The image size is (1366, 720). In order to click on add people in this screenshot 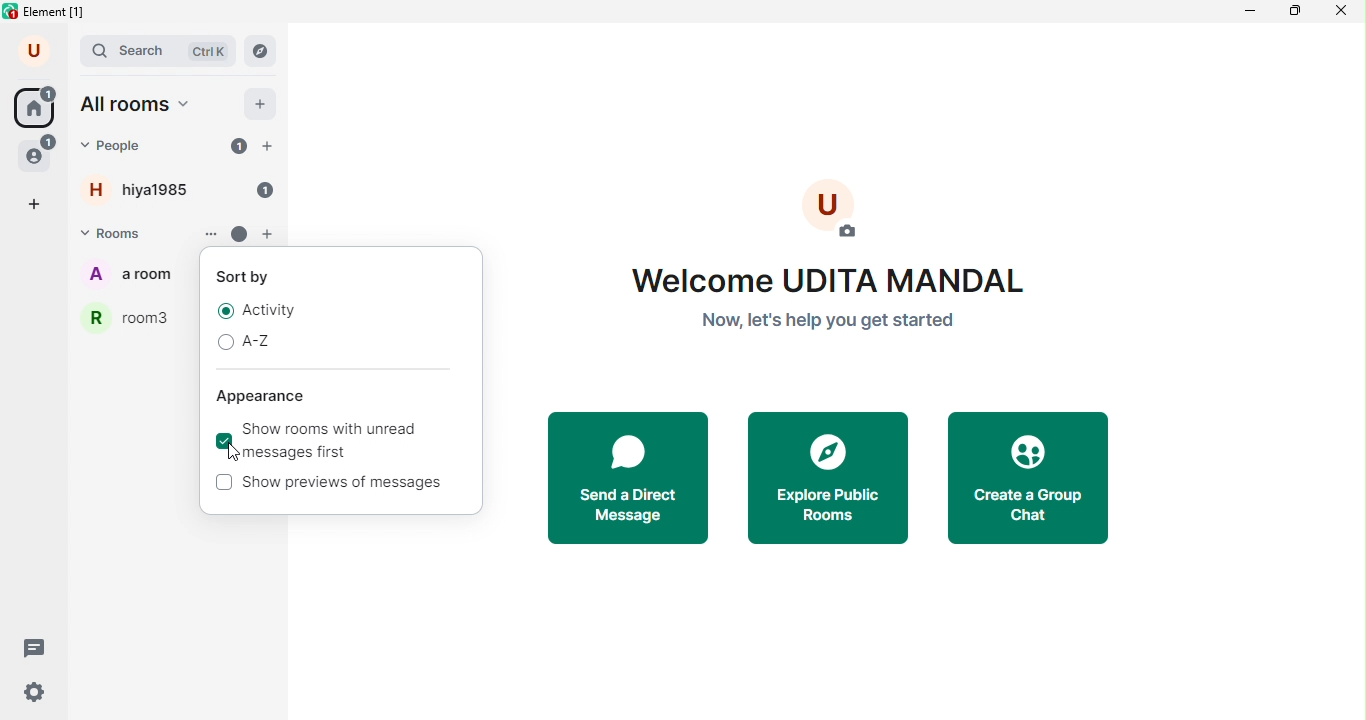, I will do `click(273, 147)`.